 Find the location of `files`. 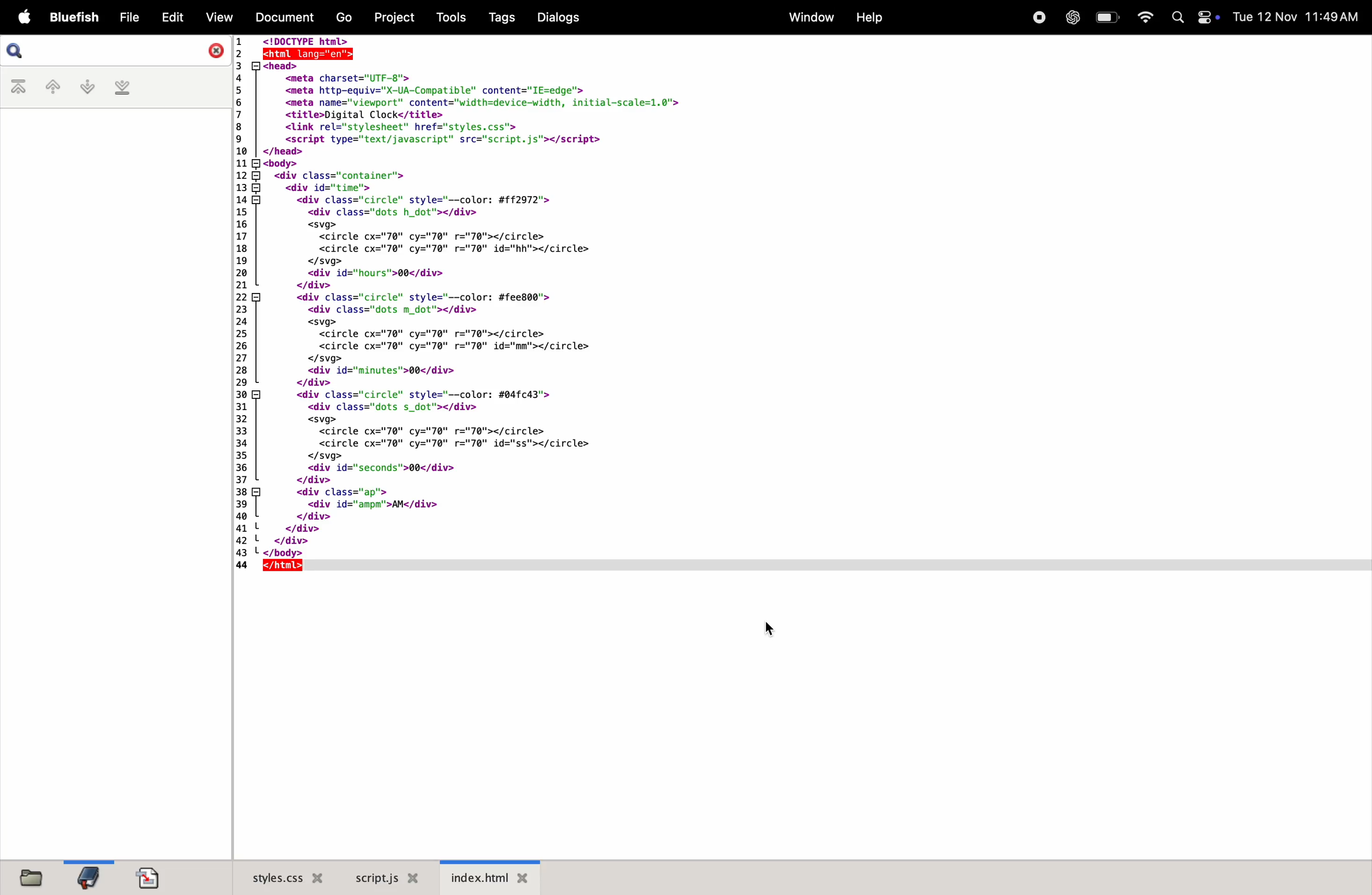

files is located at coordinates (29, 877).